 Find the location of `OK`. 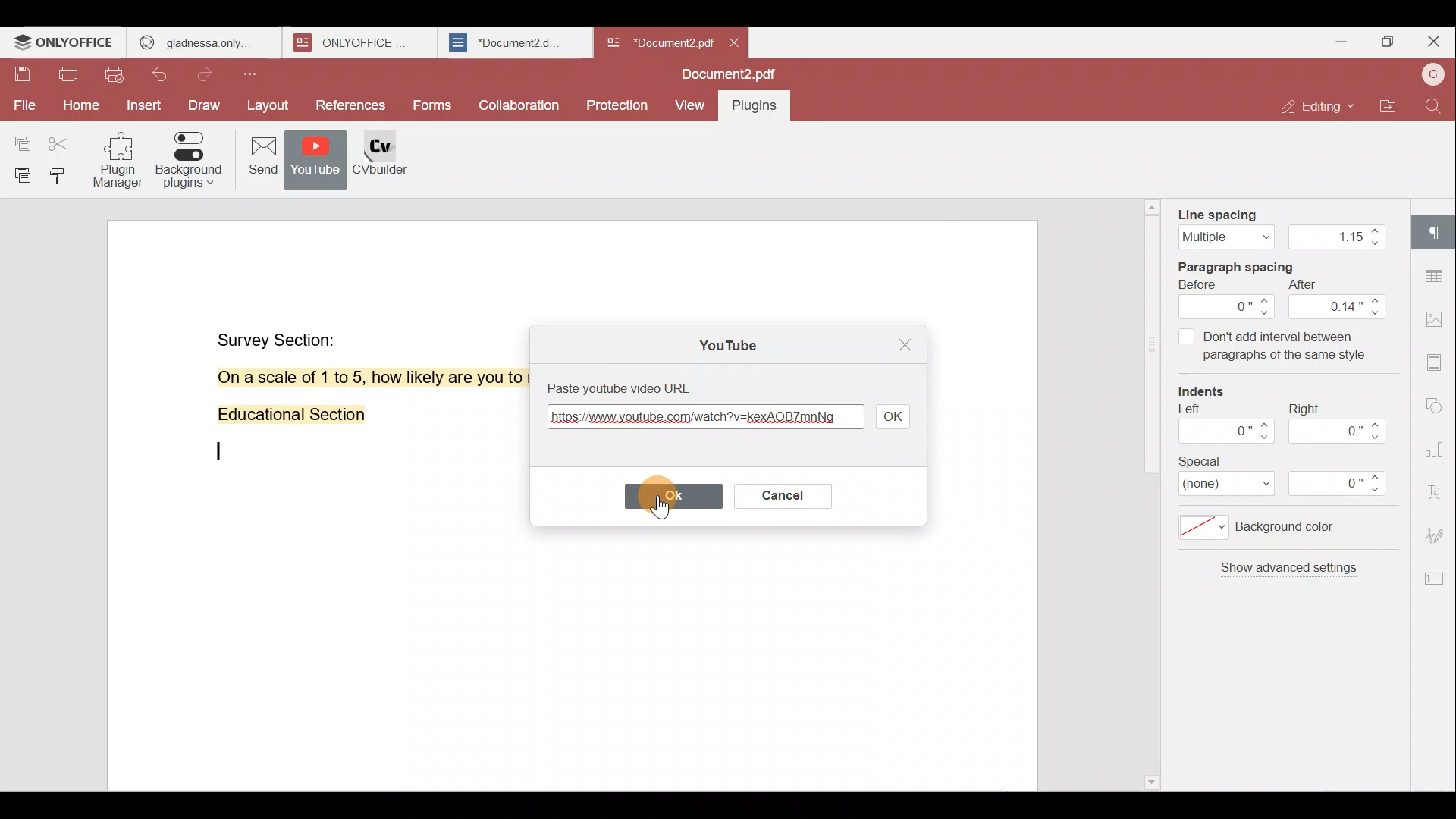

OK is located at coordinates (665, 495).